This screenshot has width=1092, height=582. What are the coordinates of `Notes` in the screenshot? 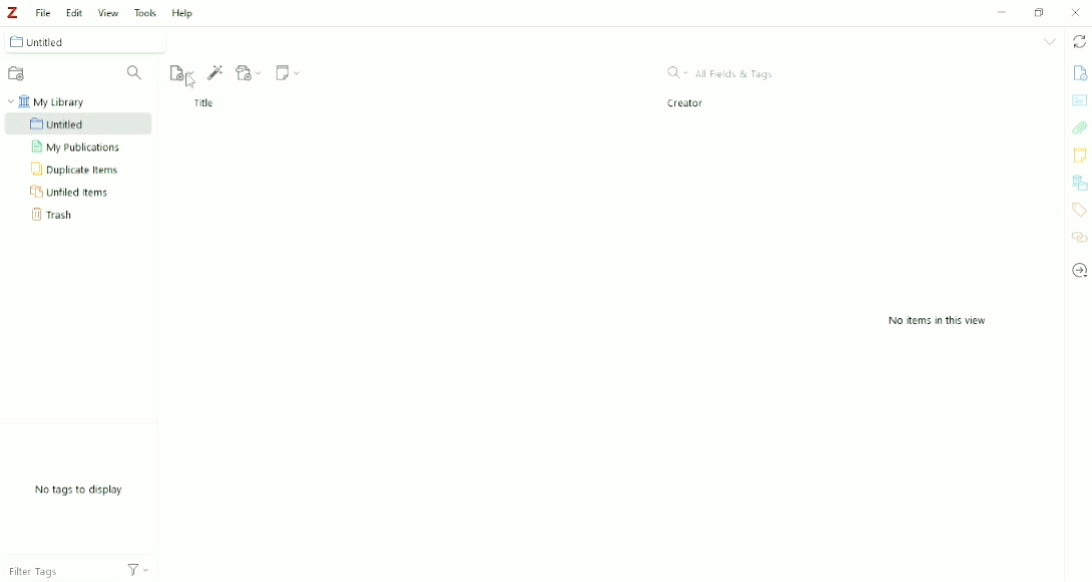 It's located at (1079, 155).